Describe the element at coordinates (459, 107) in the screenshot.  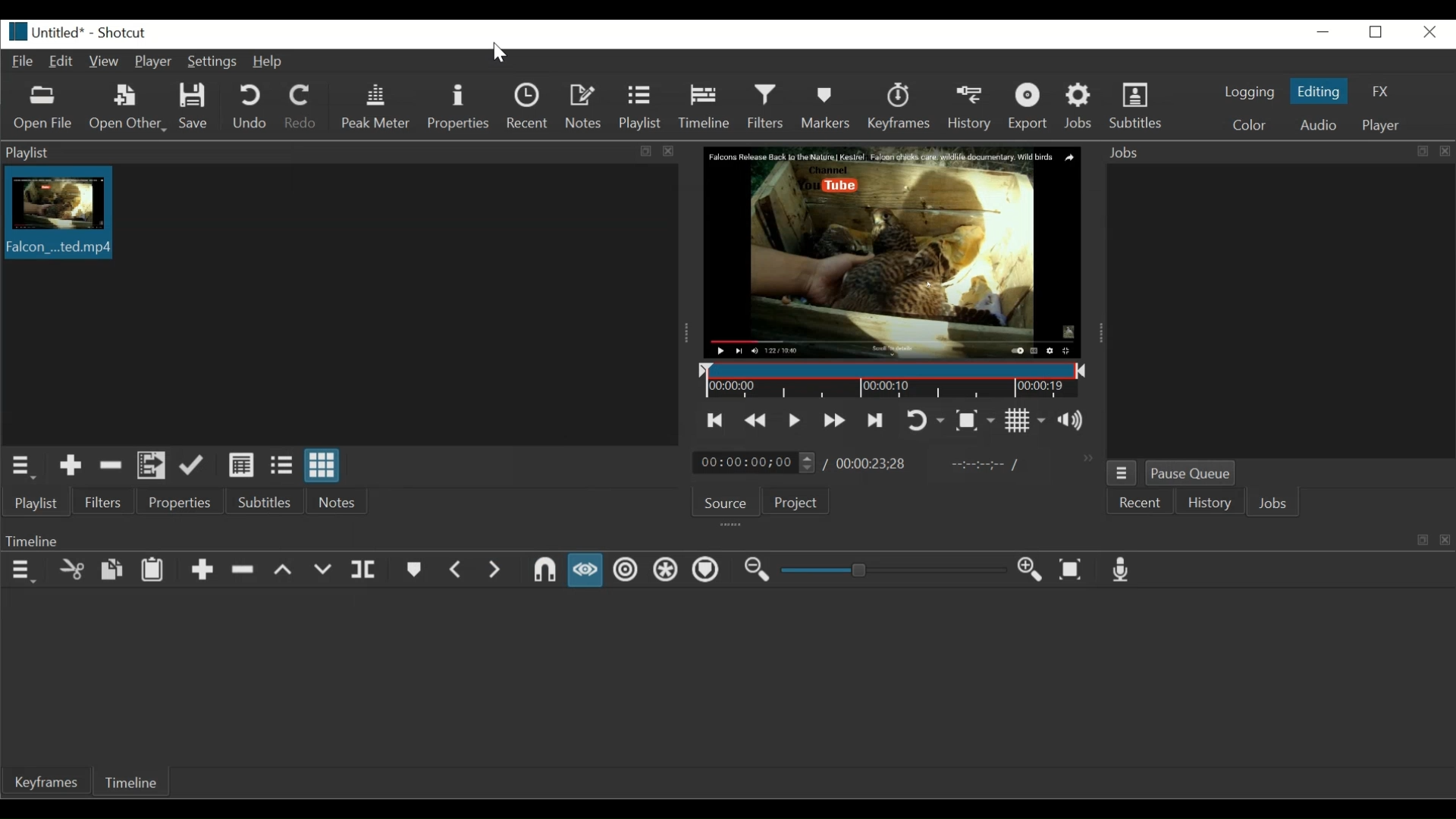
I see `Properties` at that location.